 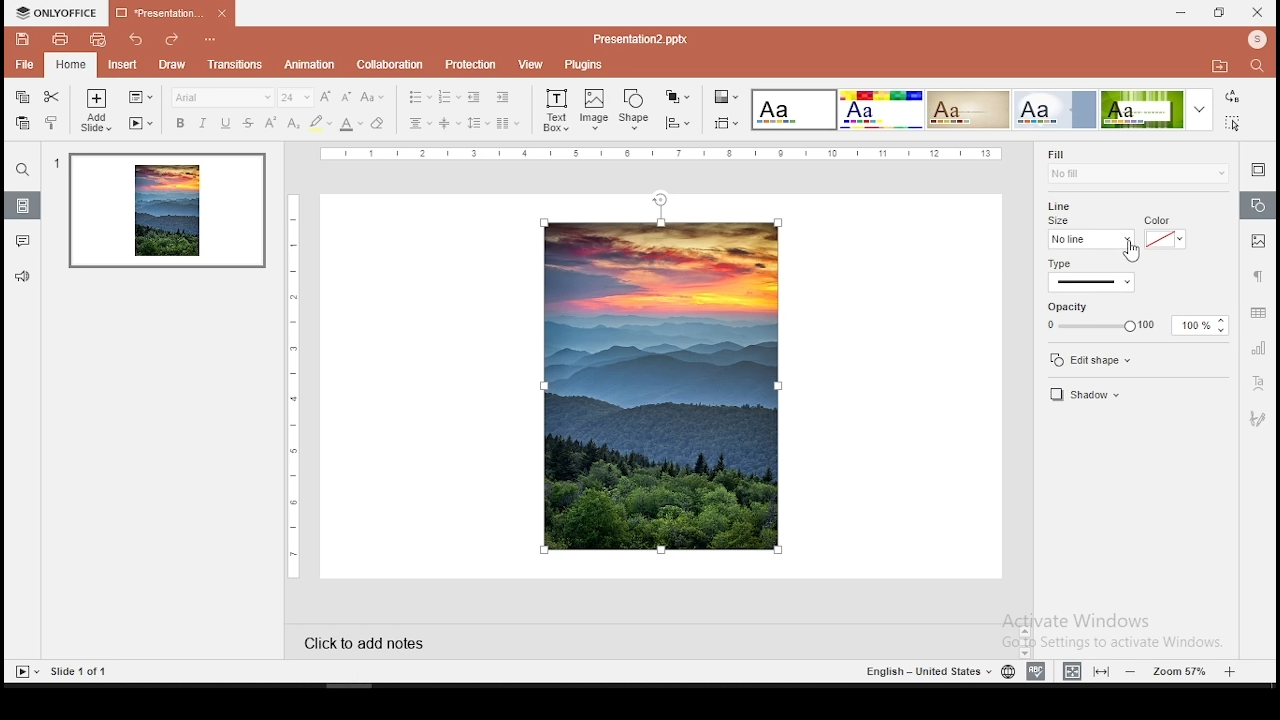 I want to click on support and feedback, so click(x=22, y=278).